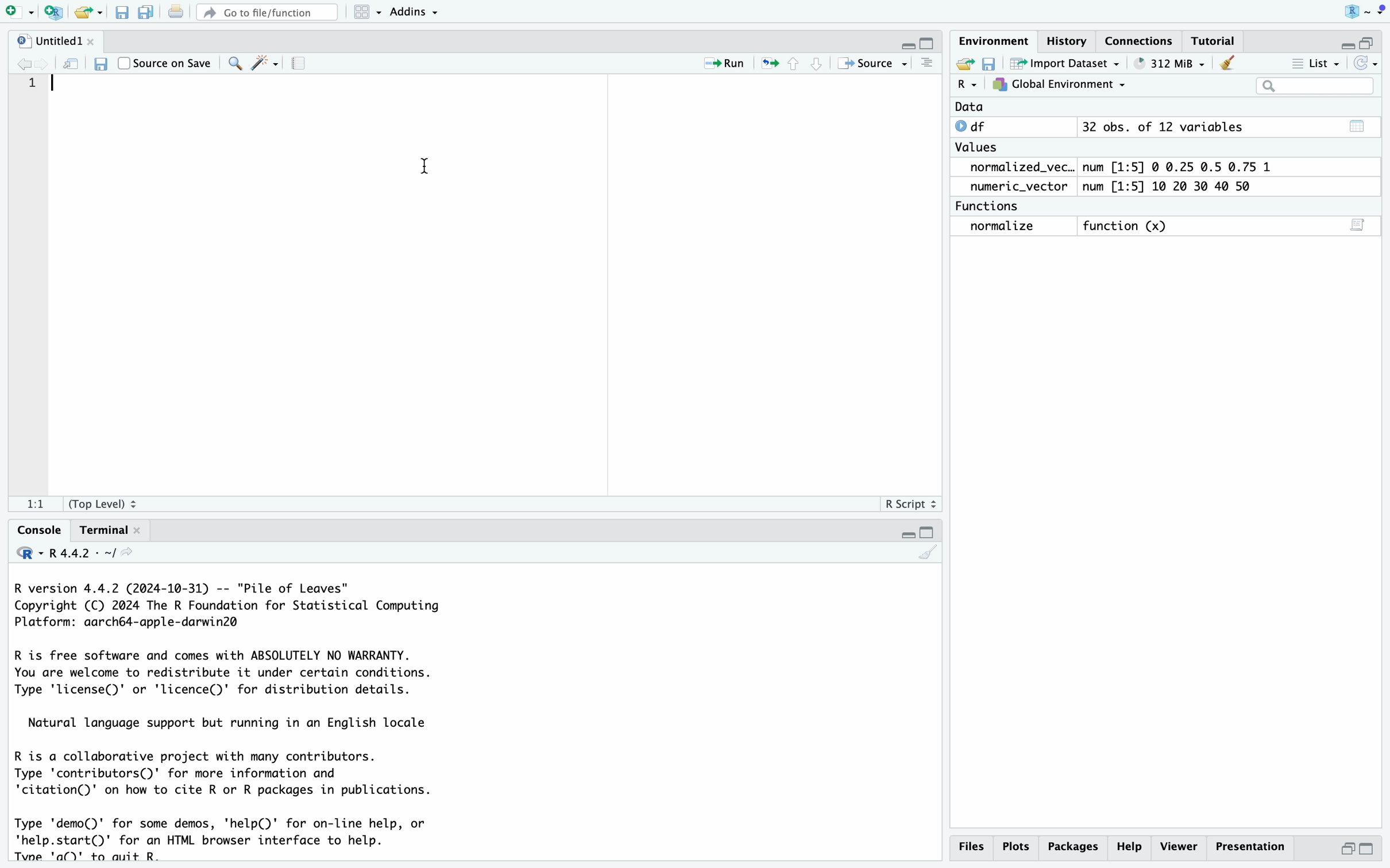 This screenshot has width=1390, height=868. Describe the element at coordinates (107, 530) in the screenshot. I see `Terminal` at that location.